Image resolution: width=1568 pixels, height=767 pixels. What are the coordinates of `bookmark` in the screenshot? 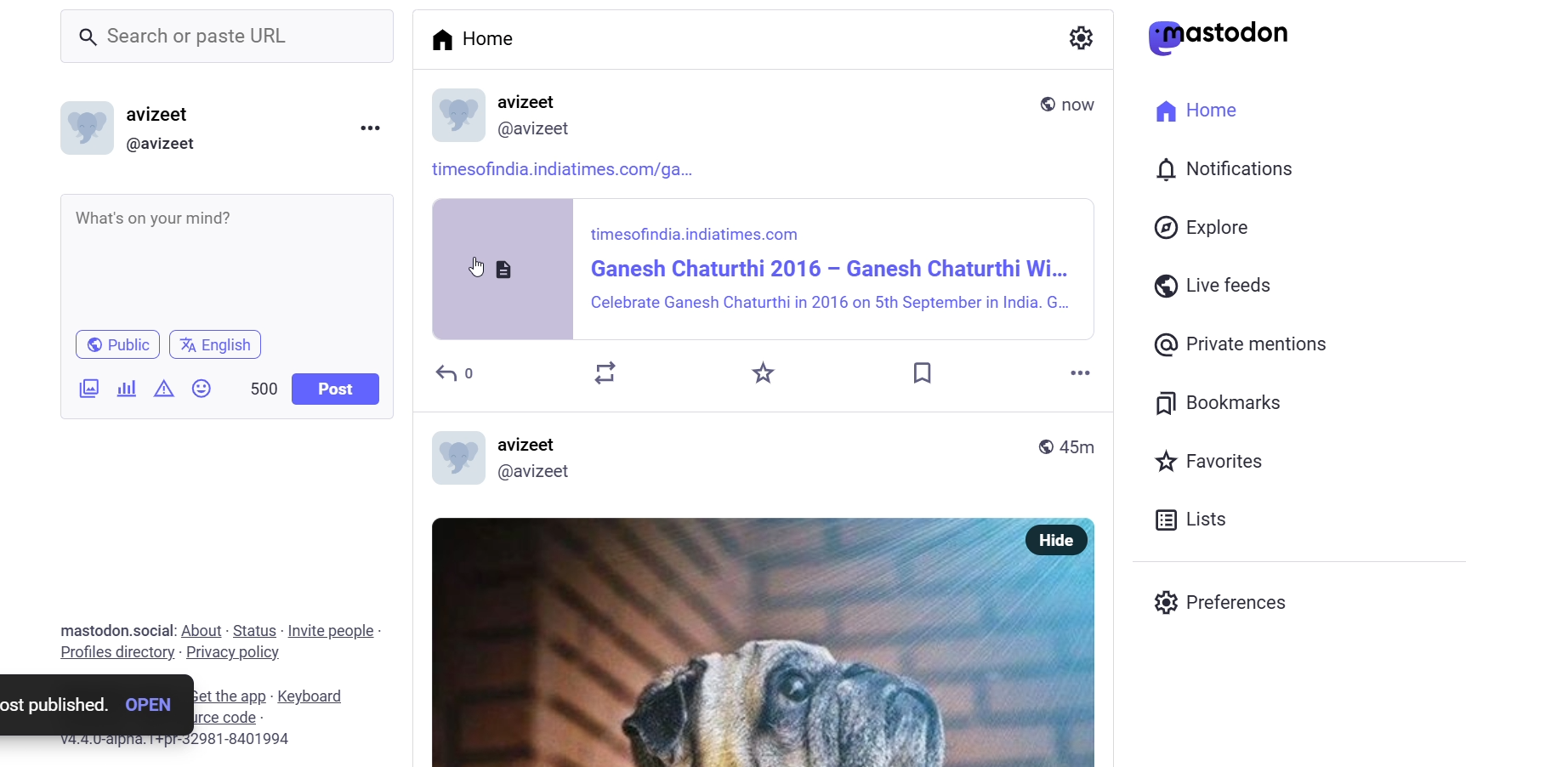 It's located at (920, 374).